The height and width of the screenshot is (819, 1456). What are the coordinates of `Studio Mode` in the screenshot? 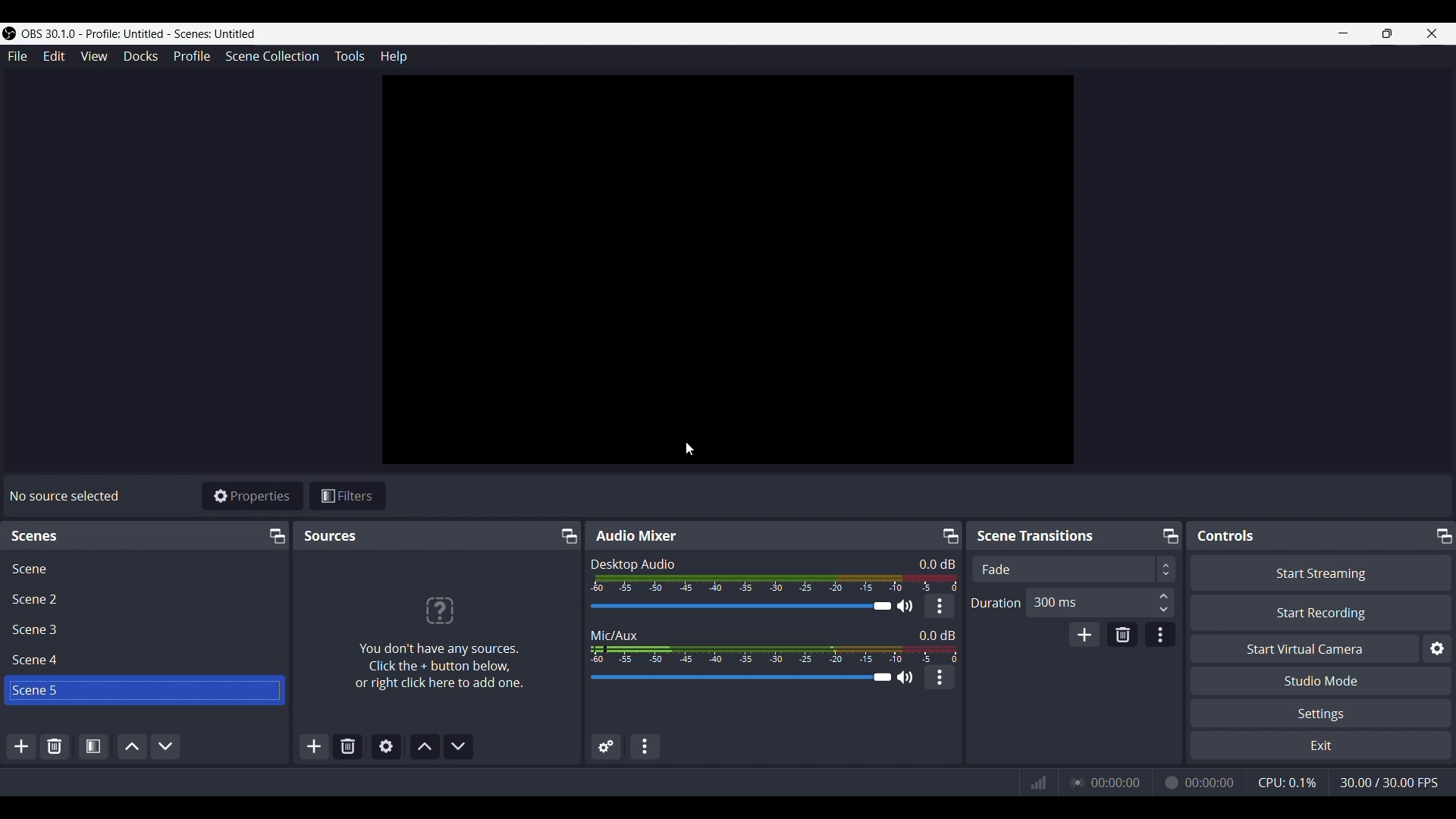 It's located at (1323, 680).